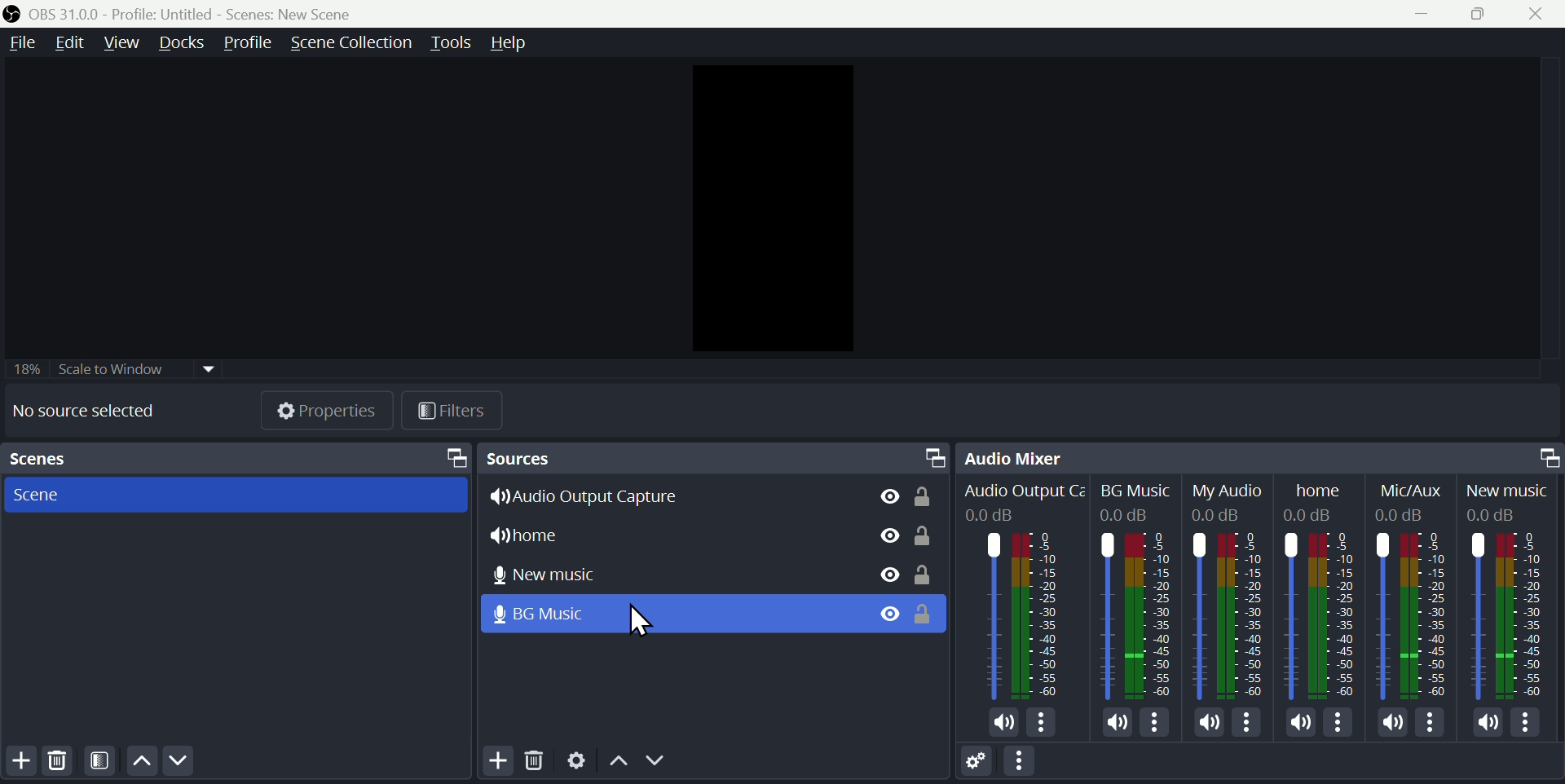 The image size is (1565, 784). What do you see at coordinates (209, 12) in the screenshot?
I see `OBS 30.0 .0 profile untitled scenes new scenes` at bounding box center [209, 12].